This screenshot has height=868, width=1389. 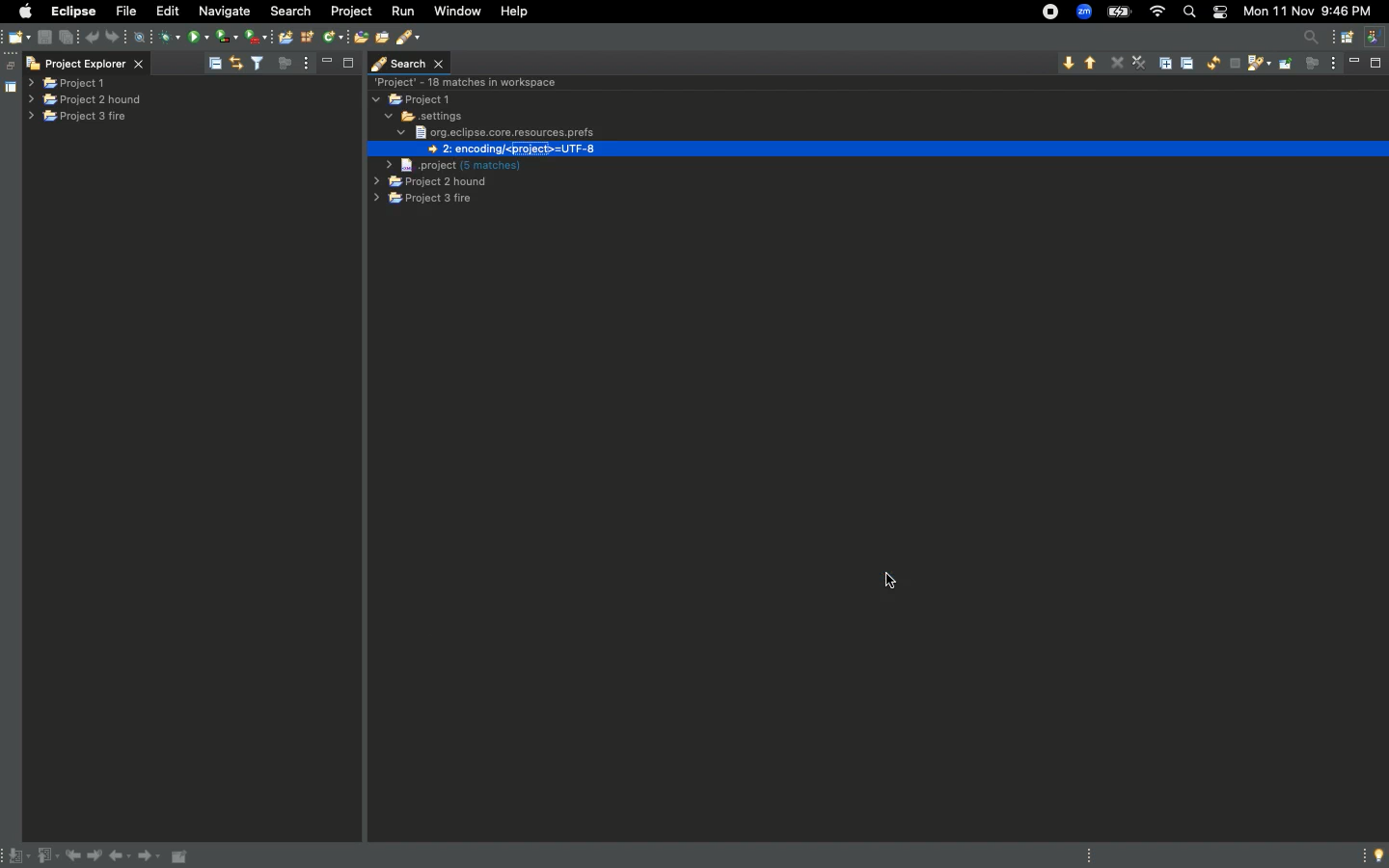 What do you see at coordinates (1218, 14) in the screenshot?
I see `Notification` at bounding box center [1218, 14].